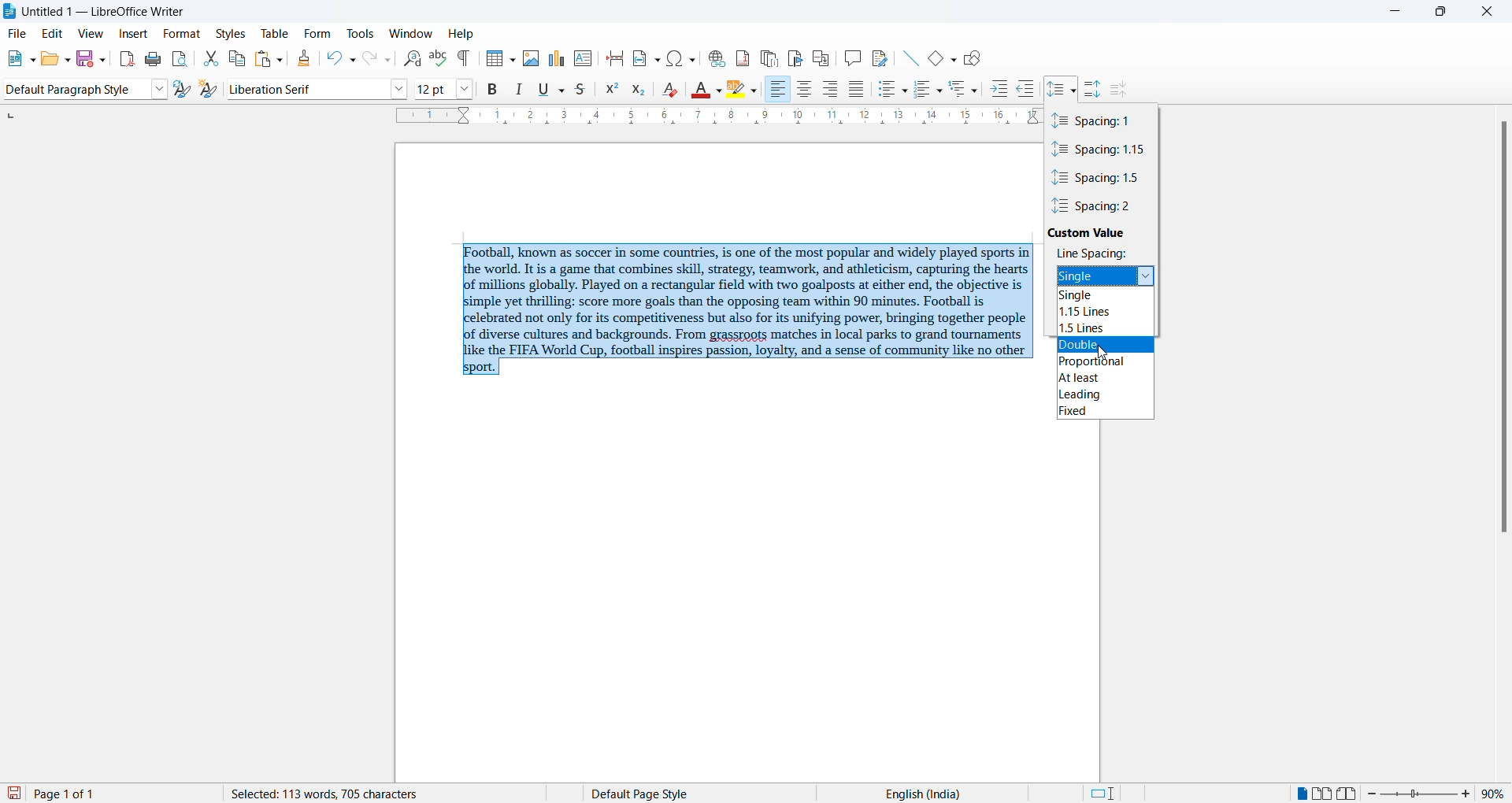 This screenshot has height=803, width=1512. What do you see at coordinates (1095, 230) in the screenshot?
I see `custom value` at bounding box center [1095, 230].